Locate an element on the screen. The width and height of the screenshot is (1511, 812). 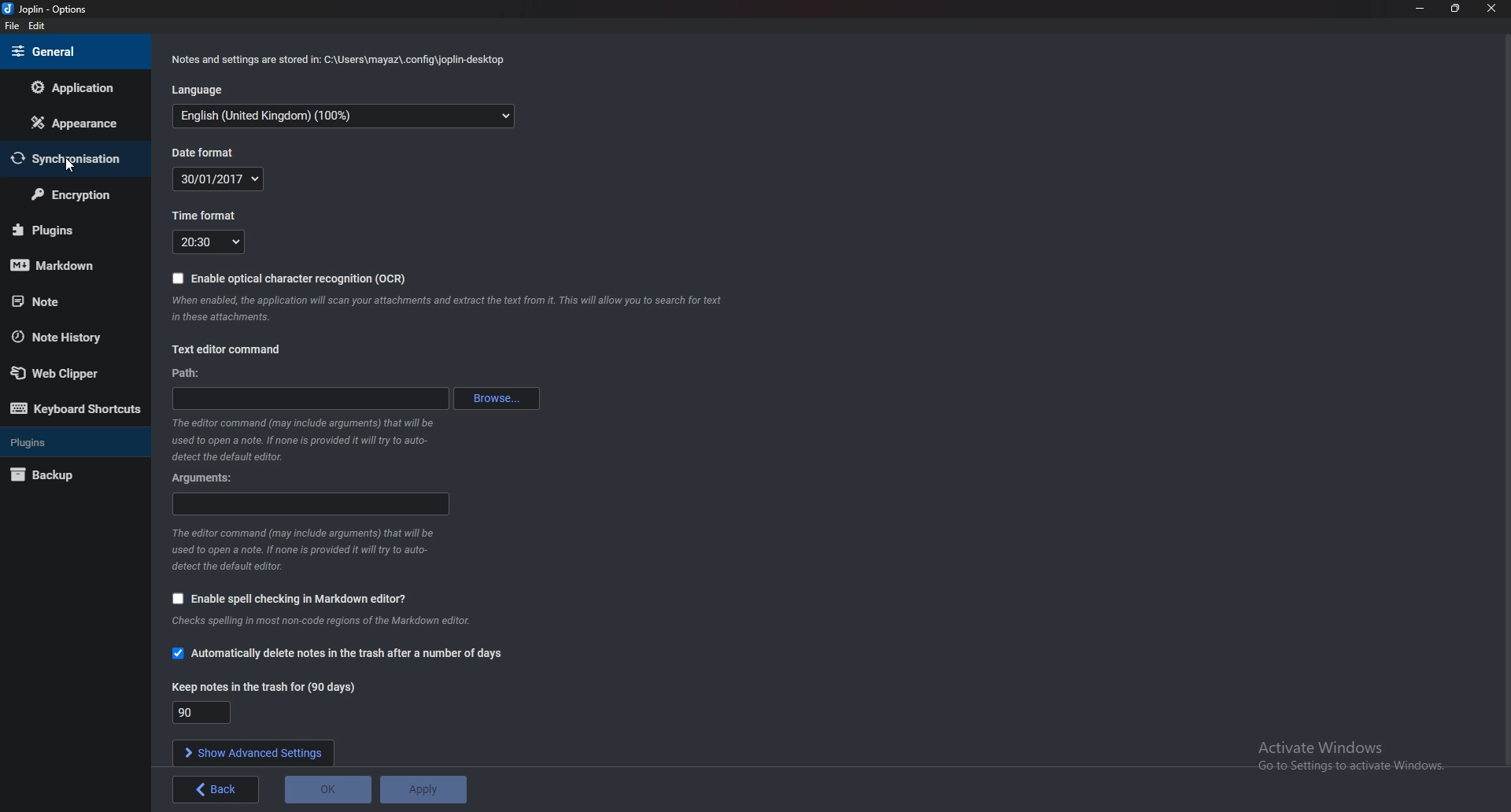
text editor command is located at coordinates (233, 348).